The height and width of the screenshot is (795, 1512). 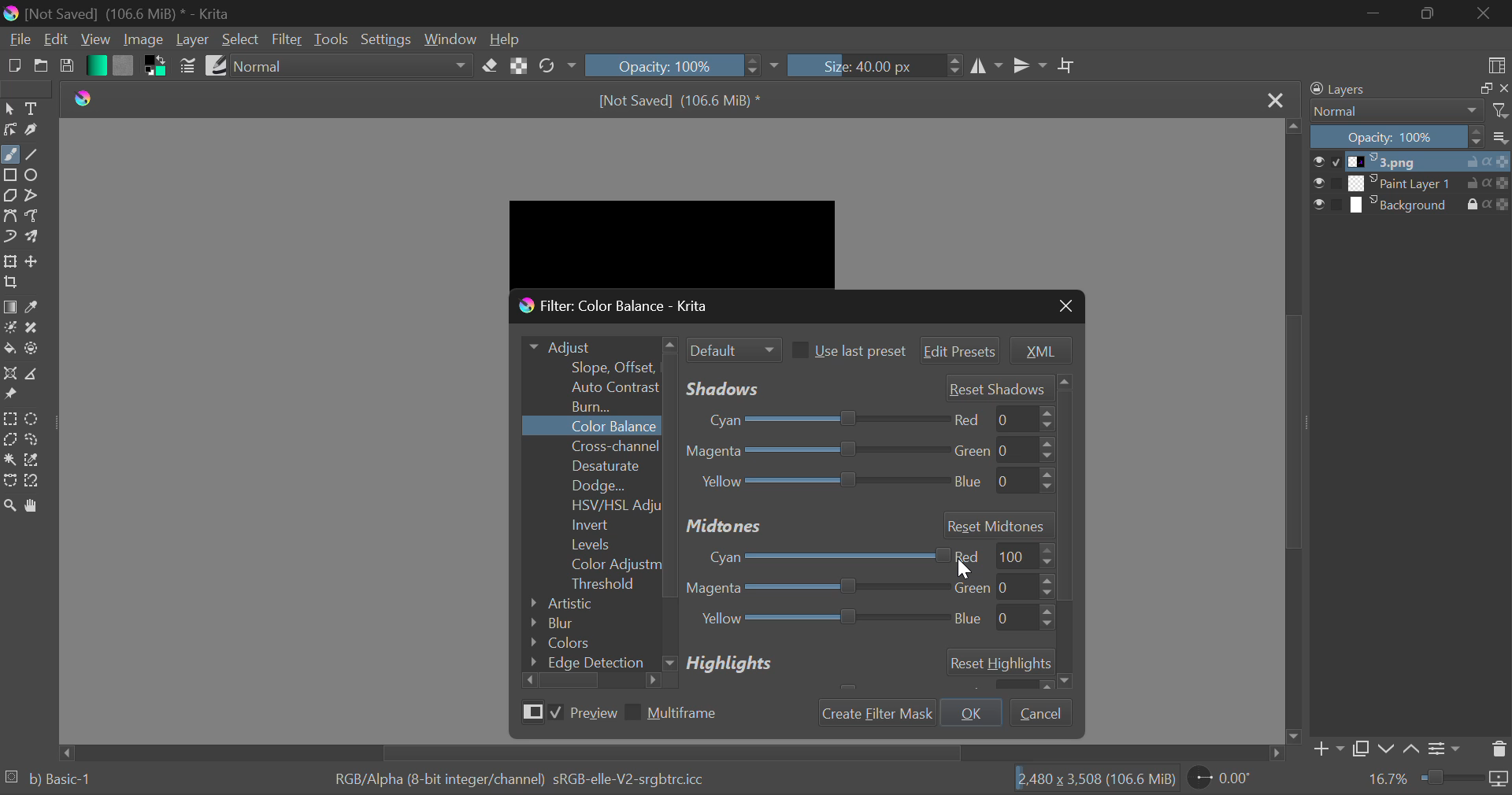 I want to click on Threshold, so click(x=593, y=584).